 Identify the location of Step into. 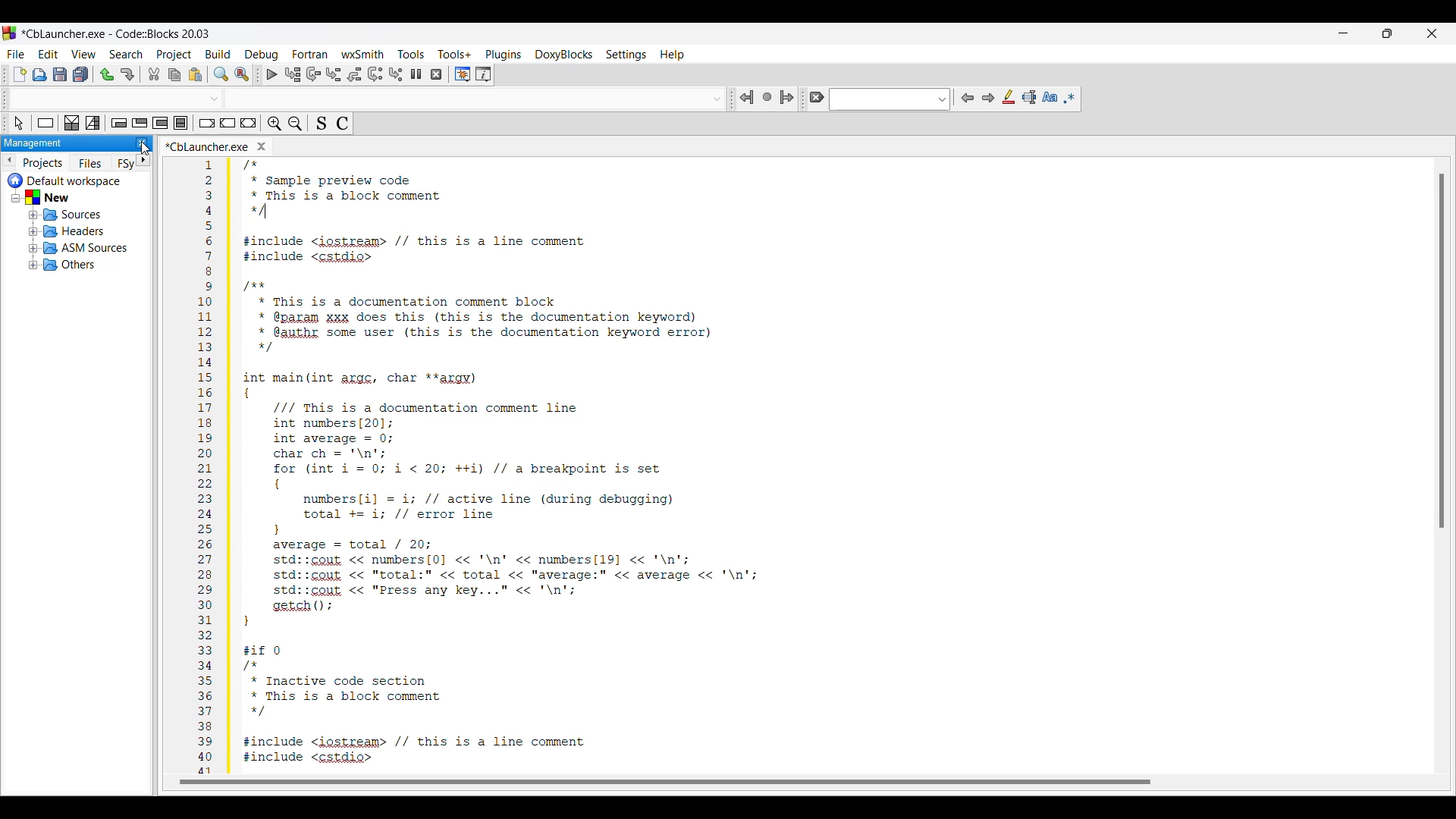
(334, 74).